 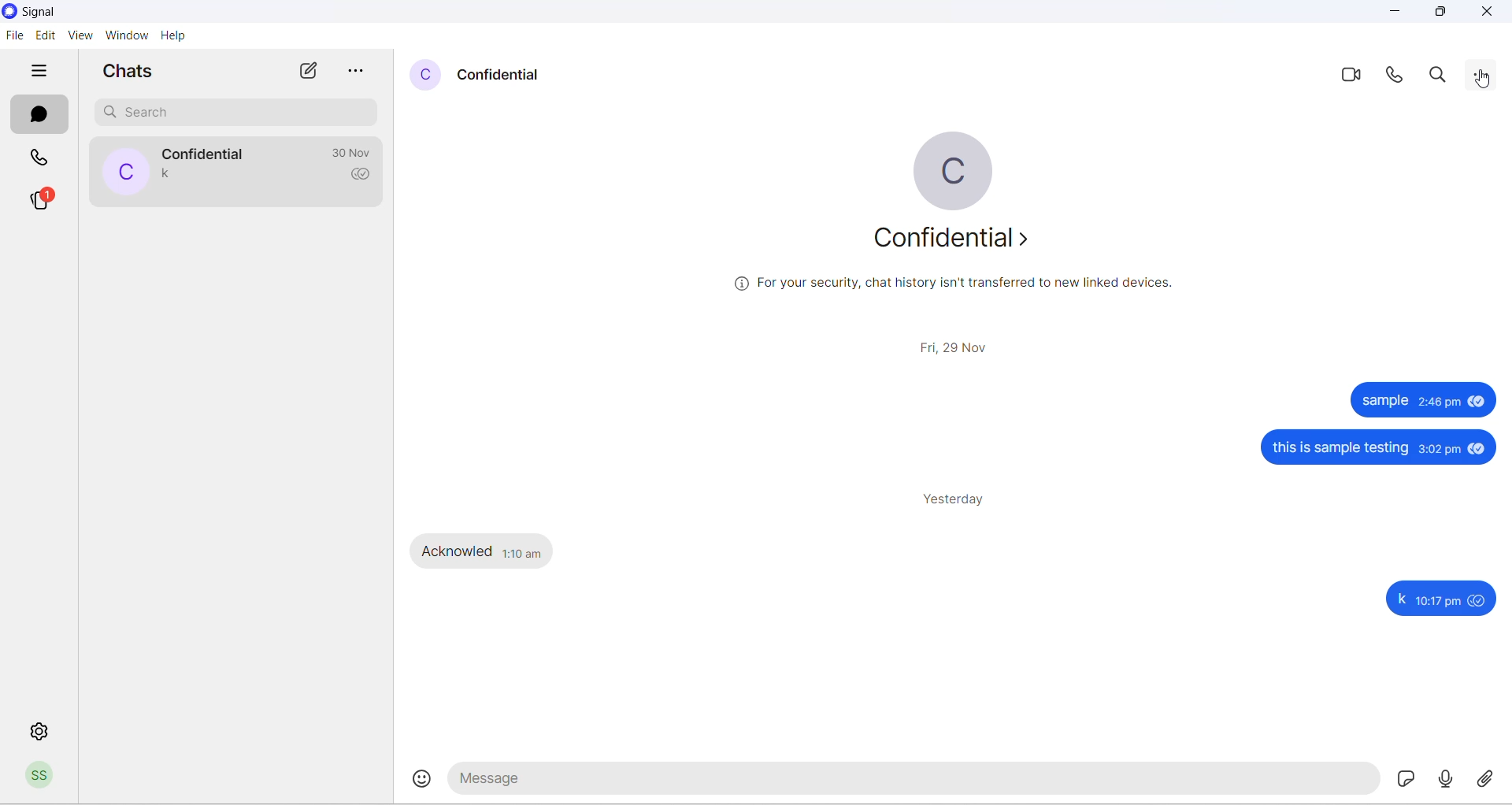 What do you see at coordinates (79, 35) in the screenshot?
I see `view` at bounding box center [79, 35].